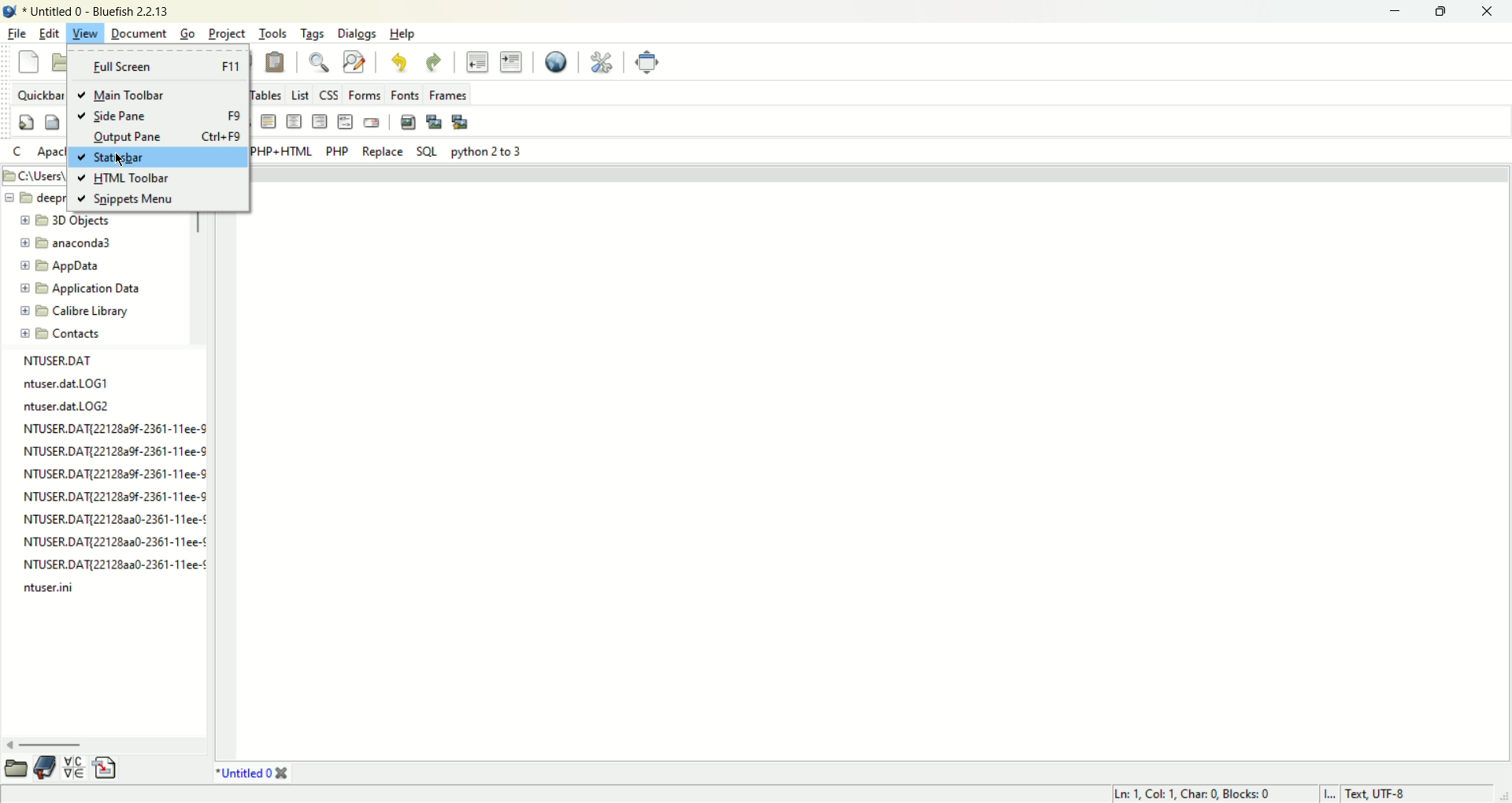 The height and width of the screenshot is (803, 1512). Describe the element at coordinates (405, 94) in the screenshot. I see `Fonts` at that location.